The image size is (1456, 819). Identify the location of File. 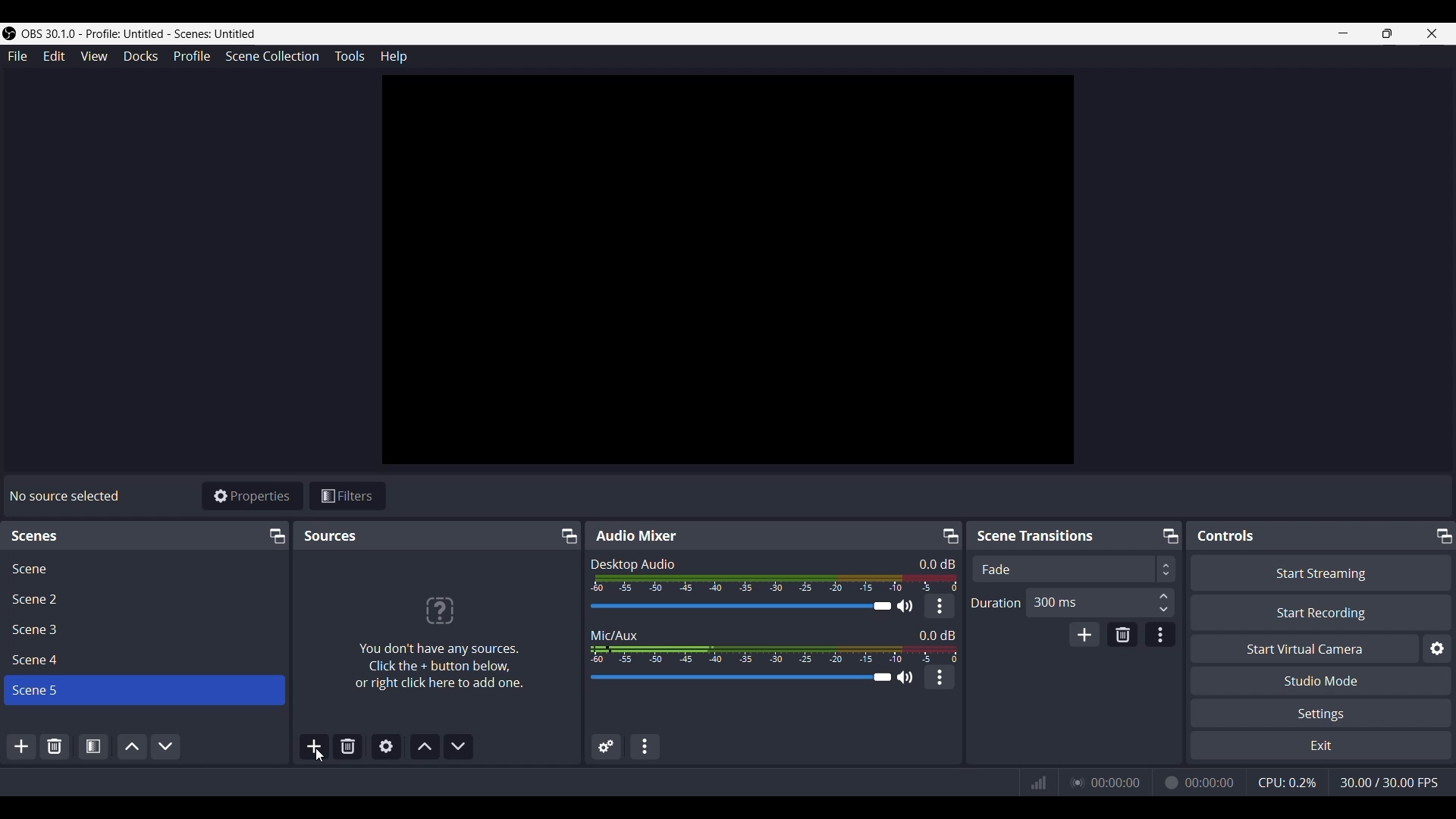
(16, 55).